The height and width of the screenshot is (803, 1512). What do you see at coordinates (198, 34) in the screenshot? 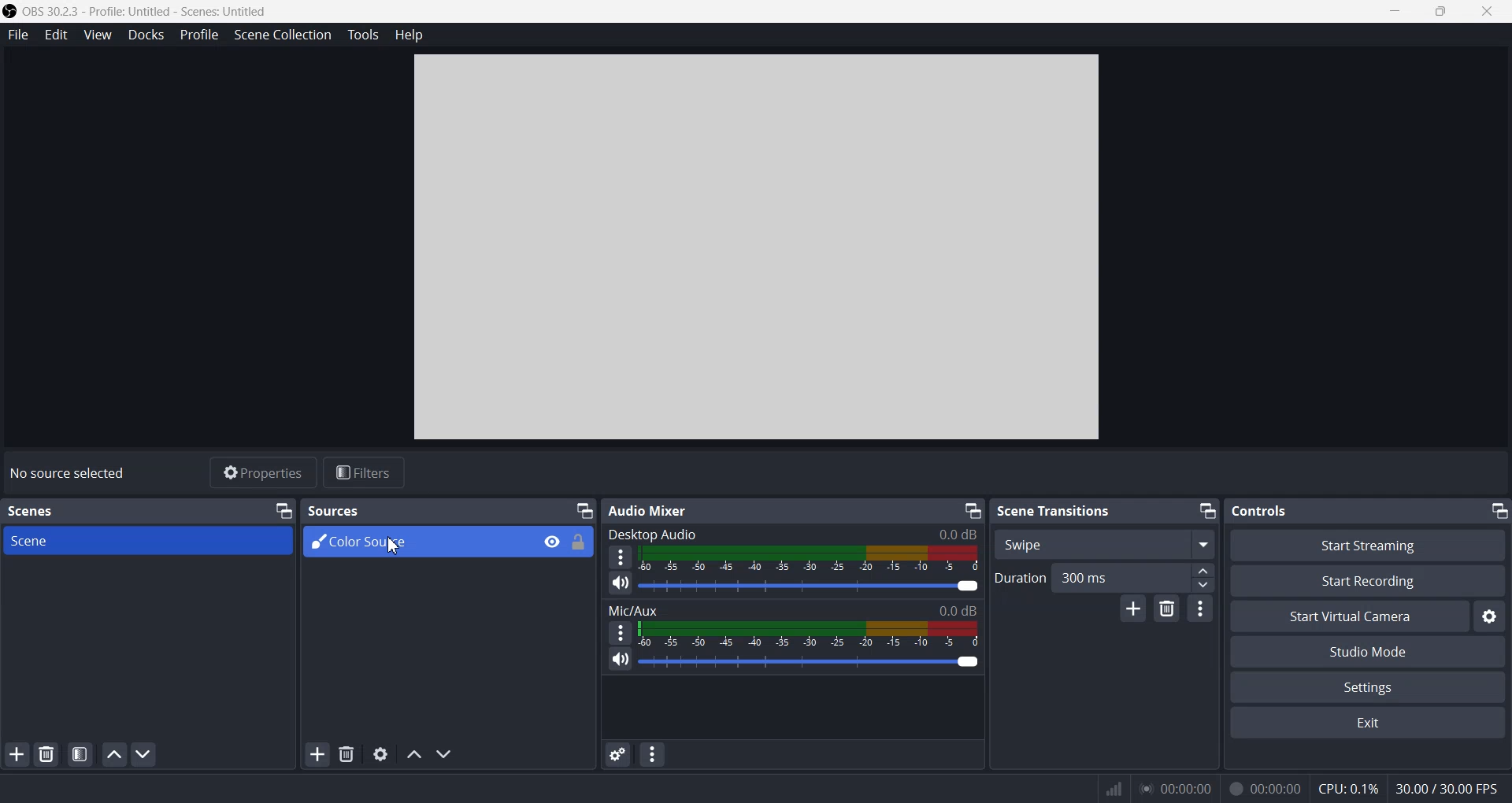
I see `Profile` at bounding box center [198, 34].